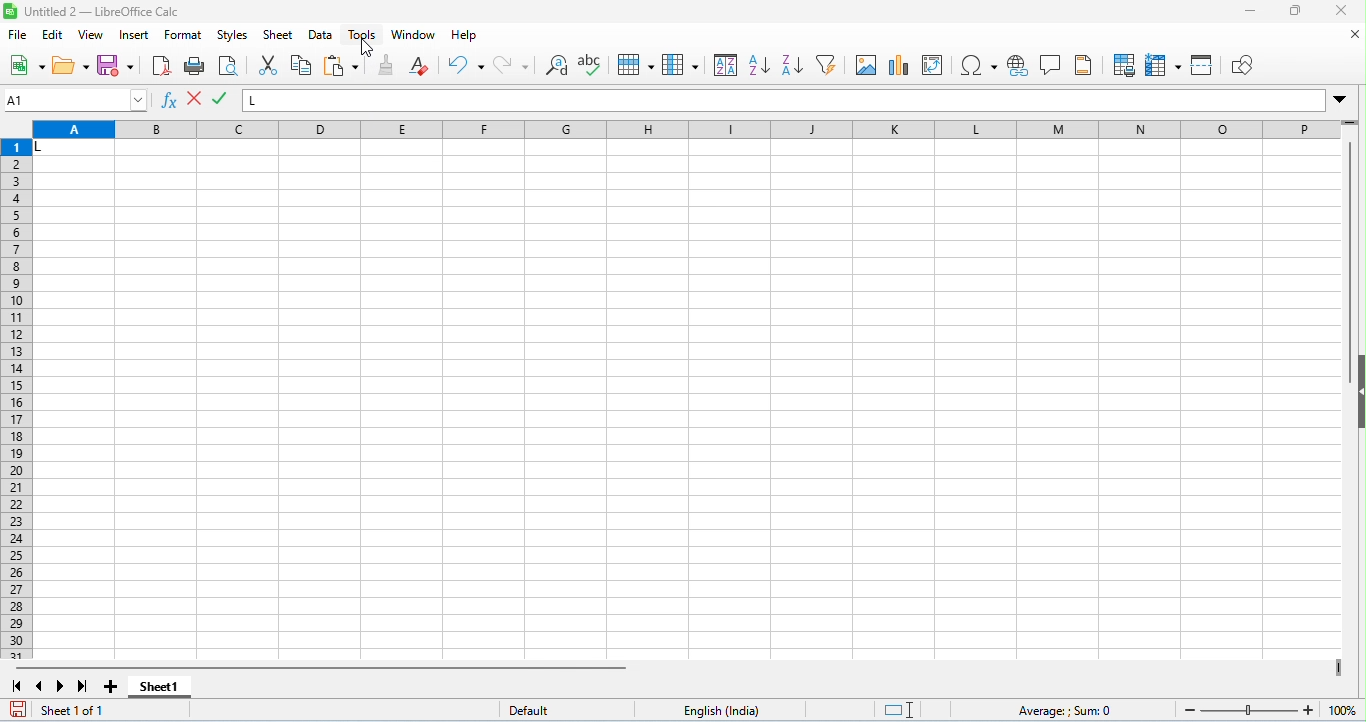  I want to click on cut, so click(271, 65).